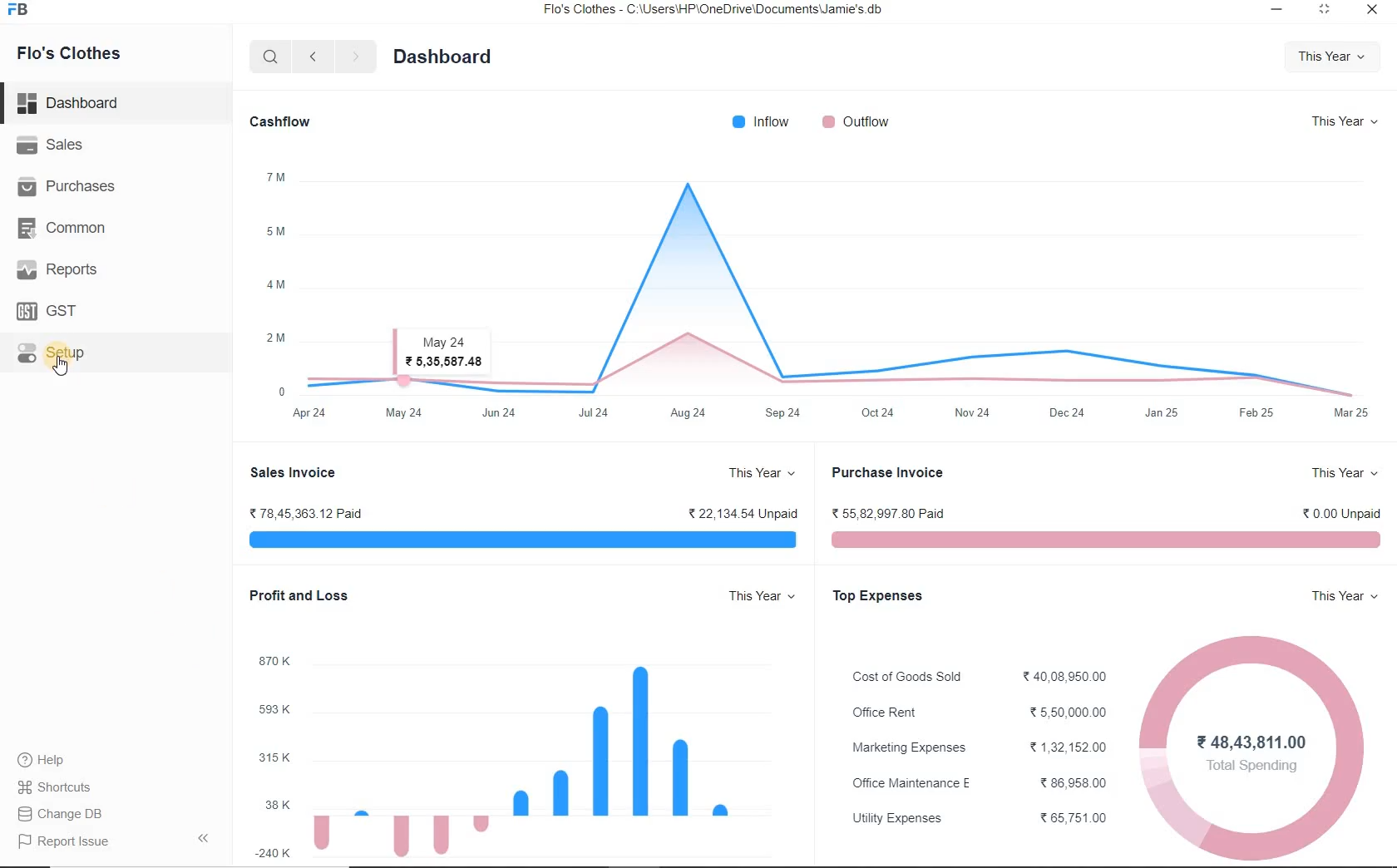  What do you see at coordinates (306, 513) in the screenshot?
I see `78,45,363.12 Paid` at bounding box center [306, 513].